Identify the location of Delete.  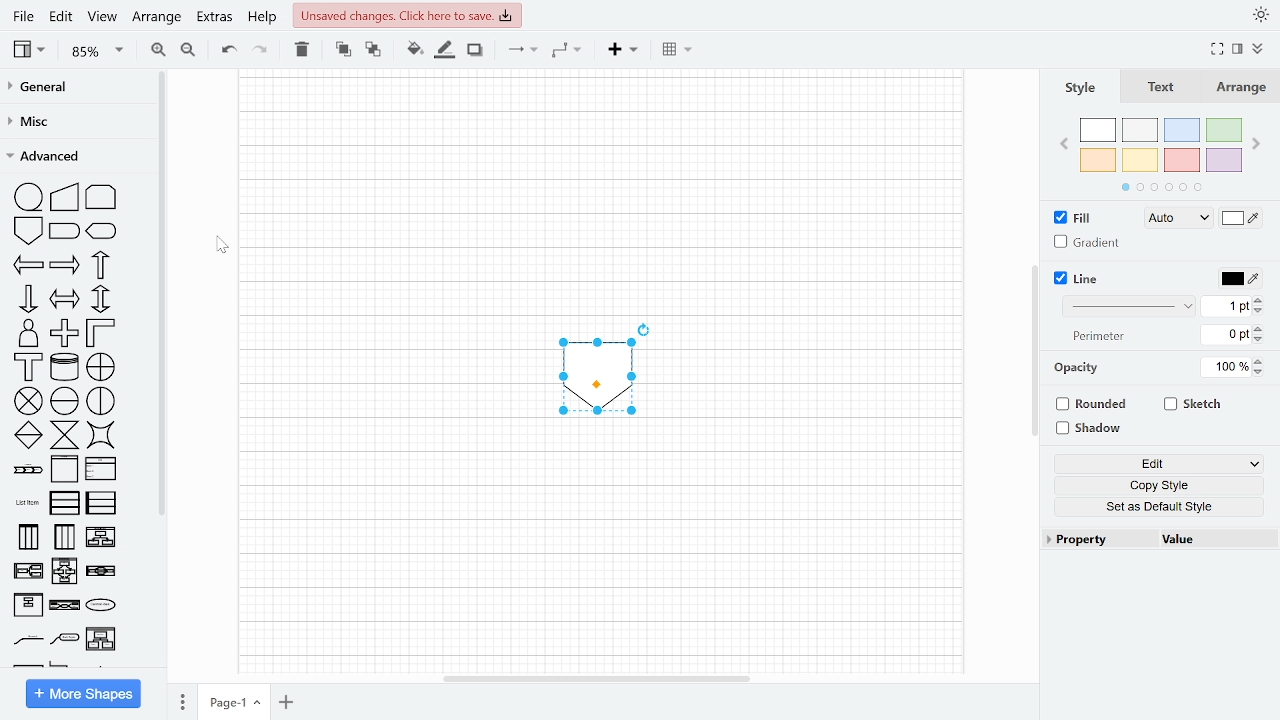
(301, 51).